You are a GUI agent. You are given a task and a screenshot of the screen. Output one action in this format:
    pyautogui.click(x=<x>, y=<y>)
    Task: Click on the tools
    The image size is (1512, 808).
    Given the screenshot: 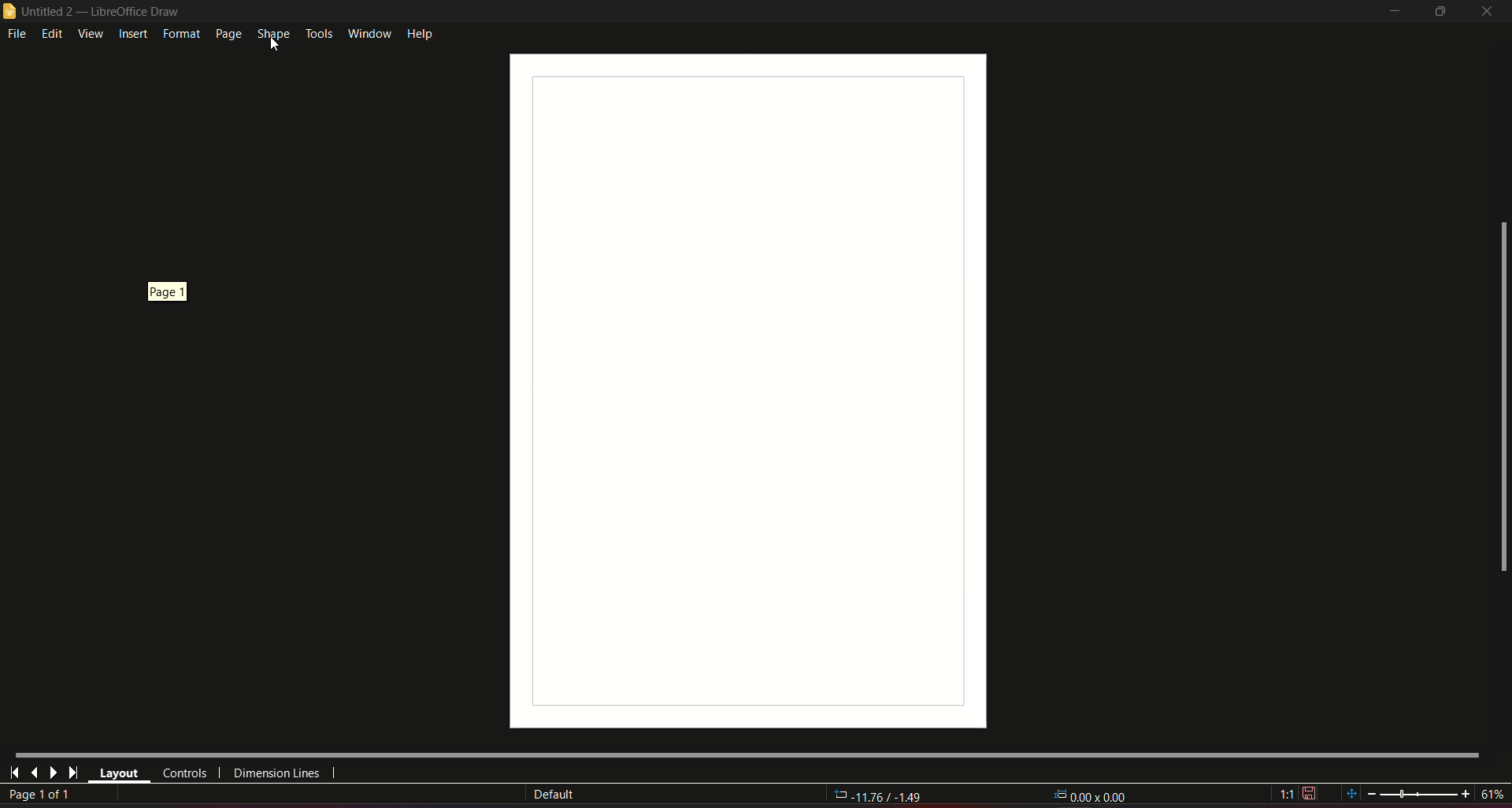 What is the action you would take?
    pyautogui.click(x=317, y=33)
    